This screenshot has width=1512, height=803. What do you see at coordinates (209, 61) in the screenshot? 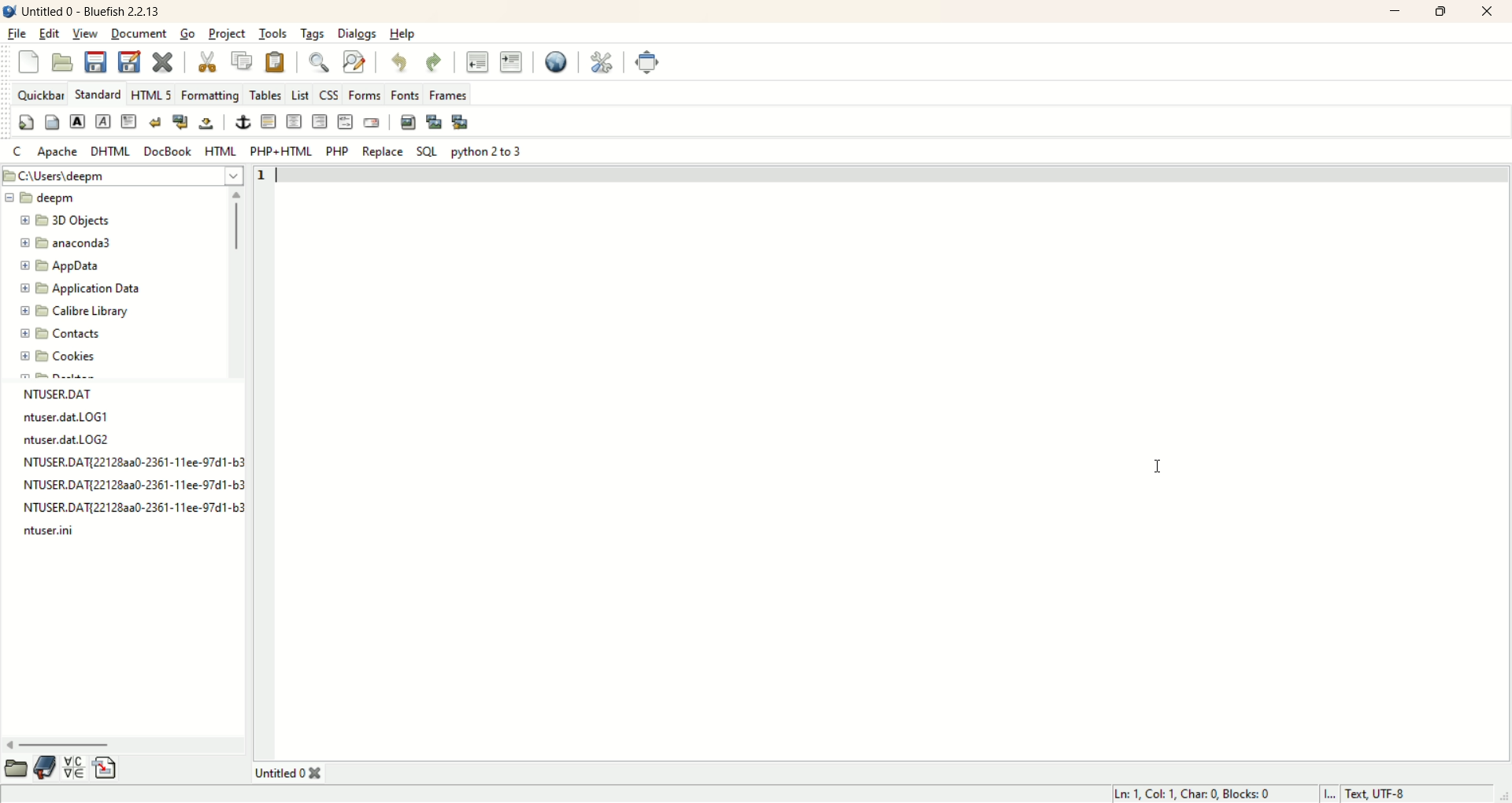
I see `cut` at bounding box center [209, 61].